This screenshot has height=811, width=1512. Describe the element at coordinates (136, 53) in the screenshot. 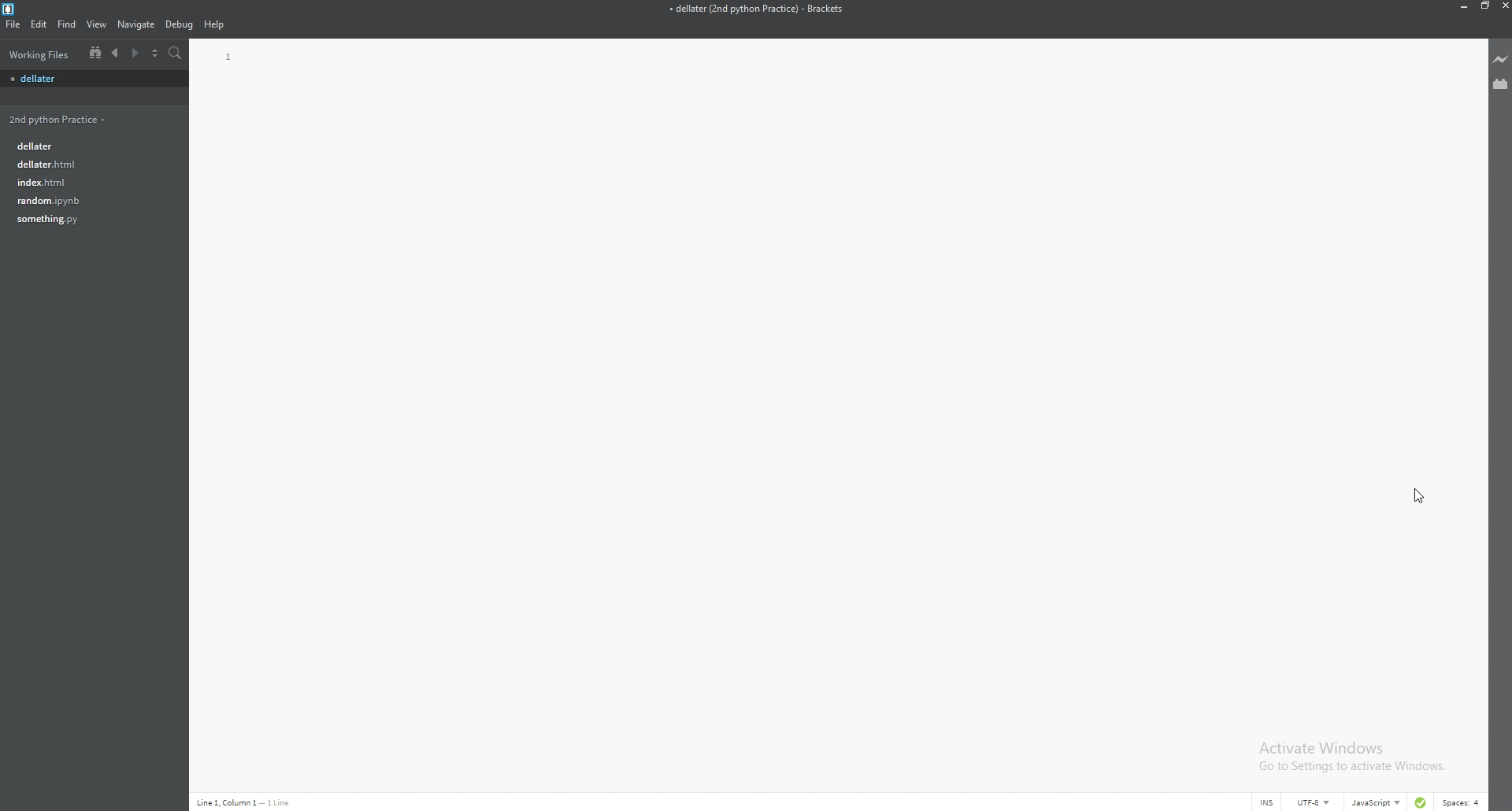

I see `next` at that location.